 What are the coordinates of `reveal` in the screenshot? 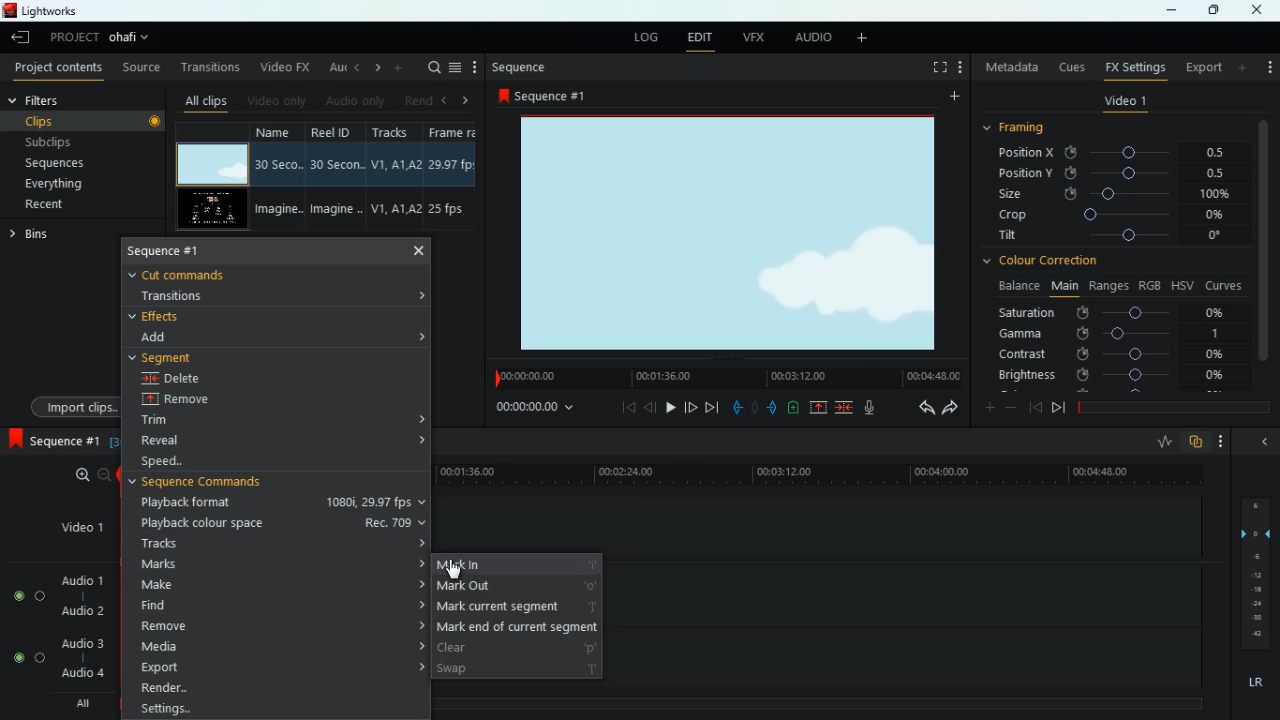 It's located at (177, 442).